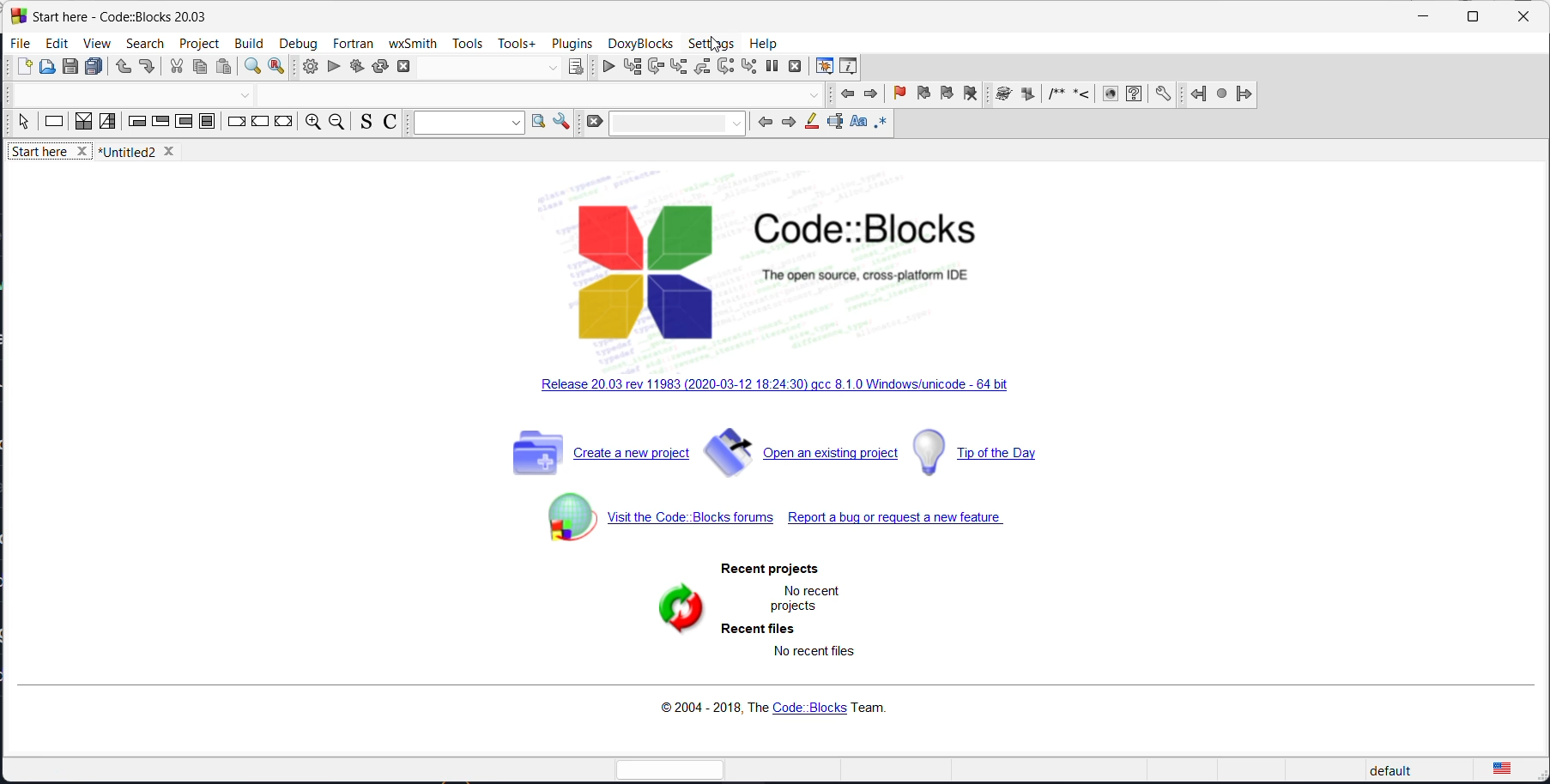  Describe the element at coordinates (143, 152) in the screenshot. I see `untitled 2` at that location.